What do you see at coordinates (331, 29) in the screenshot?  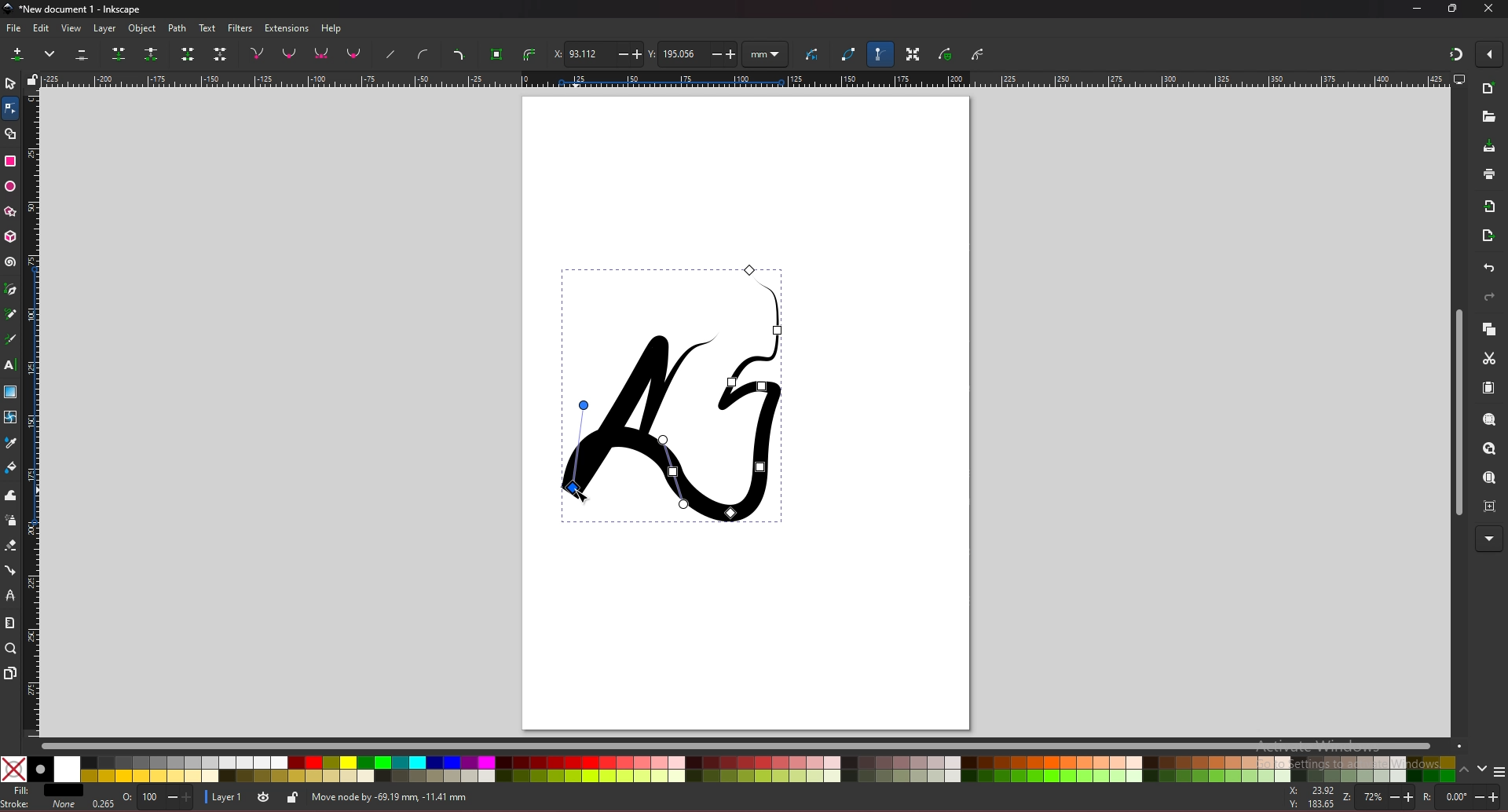 I see `help` at bounding box center [331, 29].